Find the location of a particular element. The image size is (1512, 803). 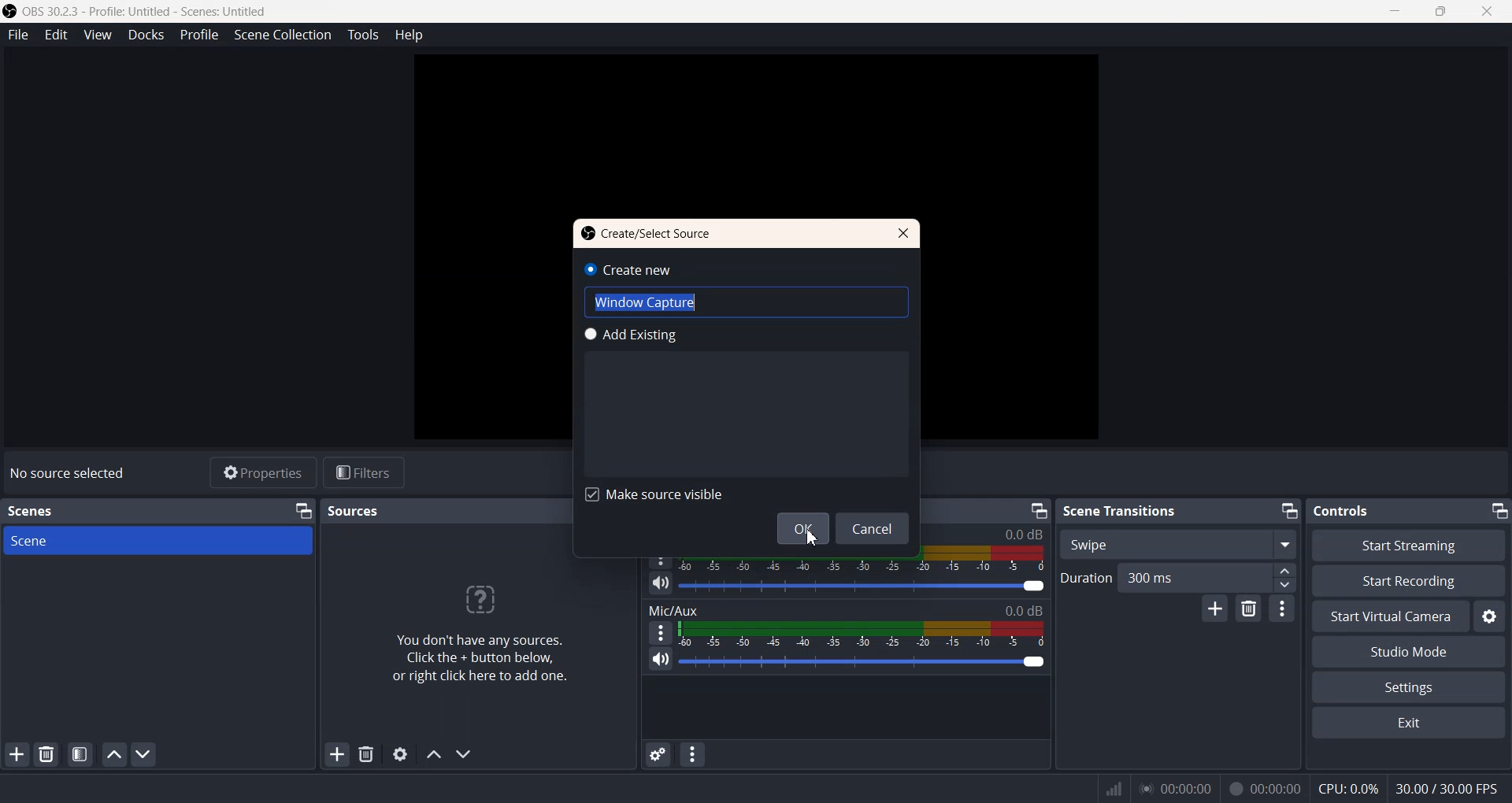

Signals is located at coordinates (1107, 789).